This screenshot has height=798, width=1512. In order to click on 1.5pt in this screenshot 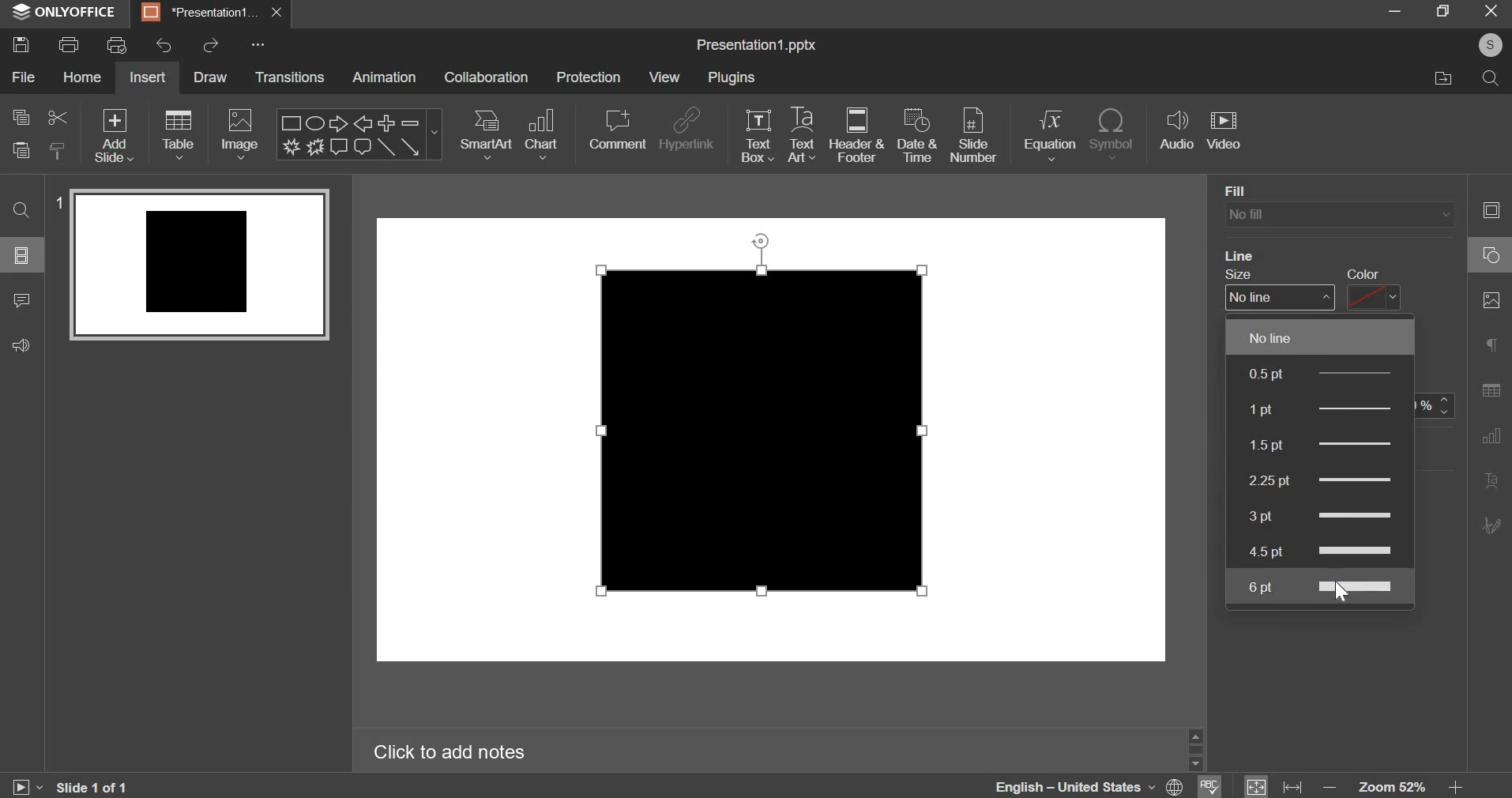, I will do `click(1320, 444)`.